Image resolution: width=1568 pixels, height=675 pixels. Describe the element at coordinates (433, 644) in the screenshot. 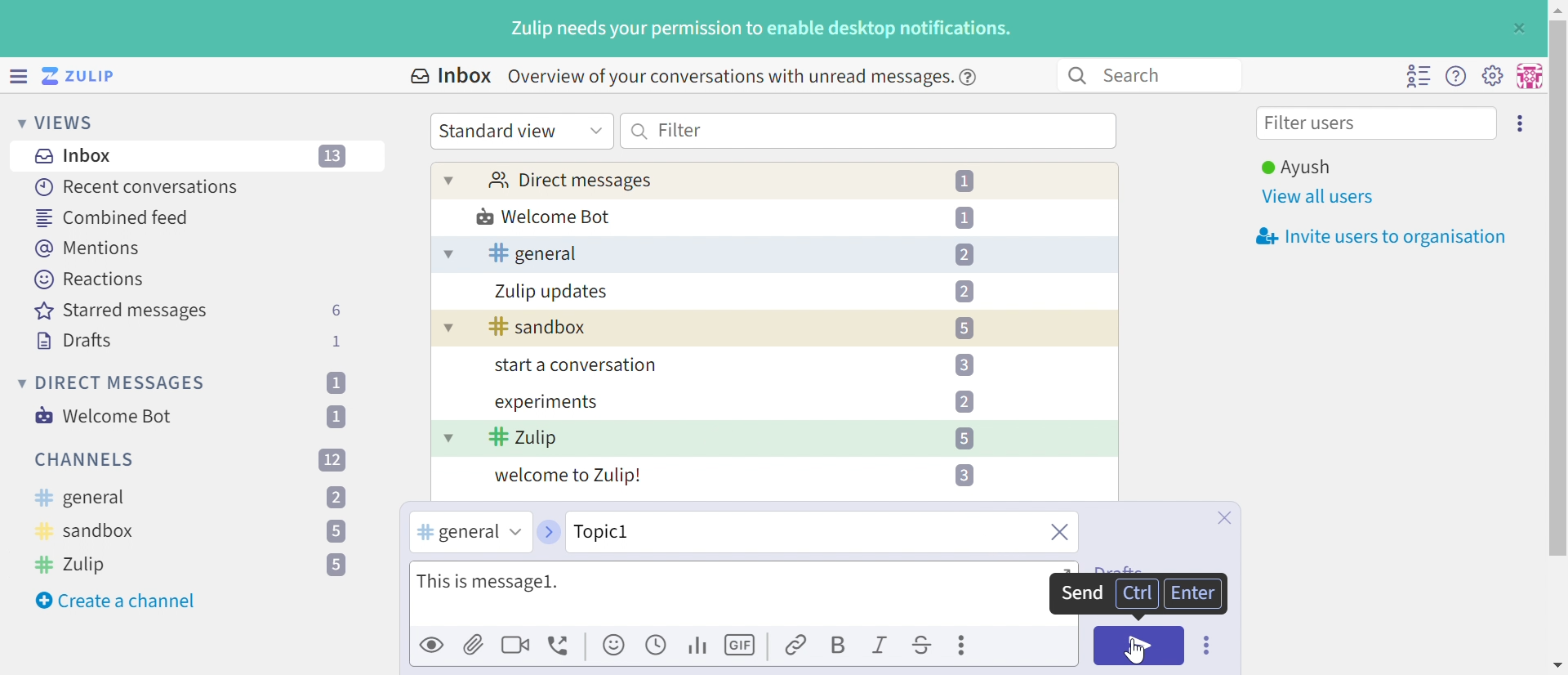

I see `Preview` at that location.